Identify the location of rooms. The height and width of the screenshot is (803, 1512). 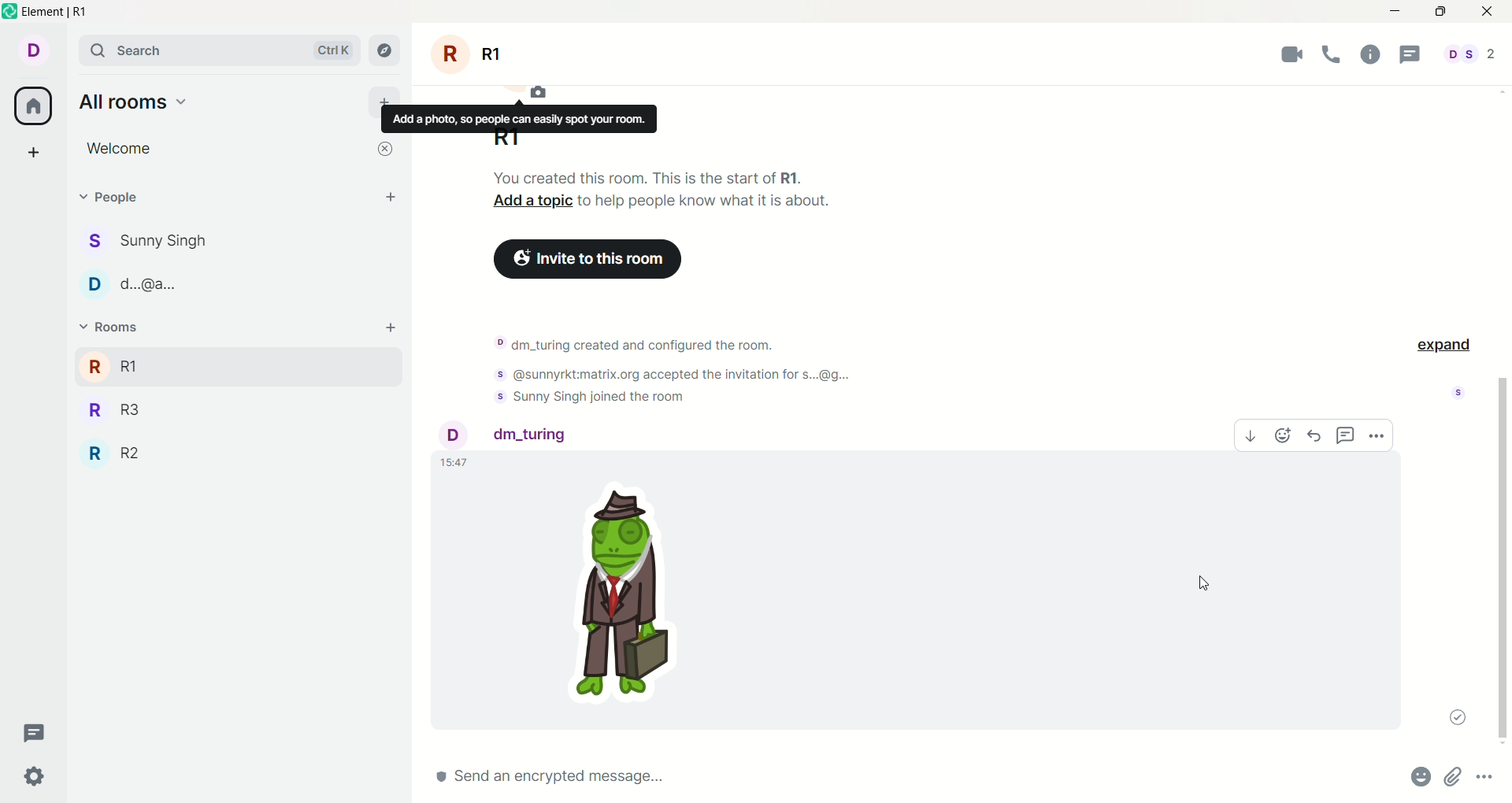
(114, 327).